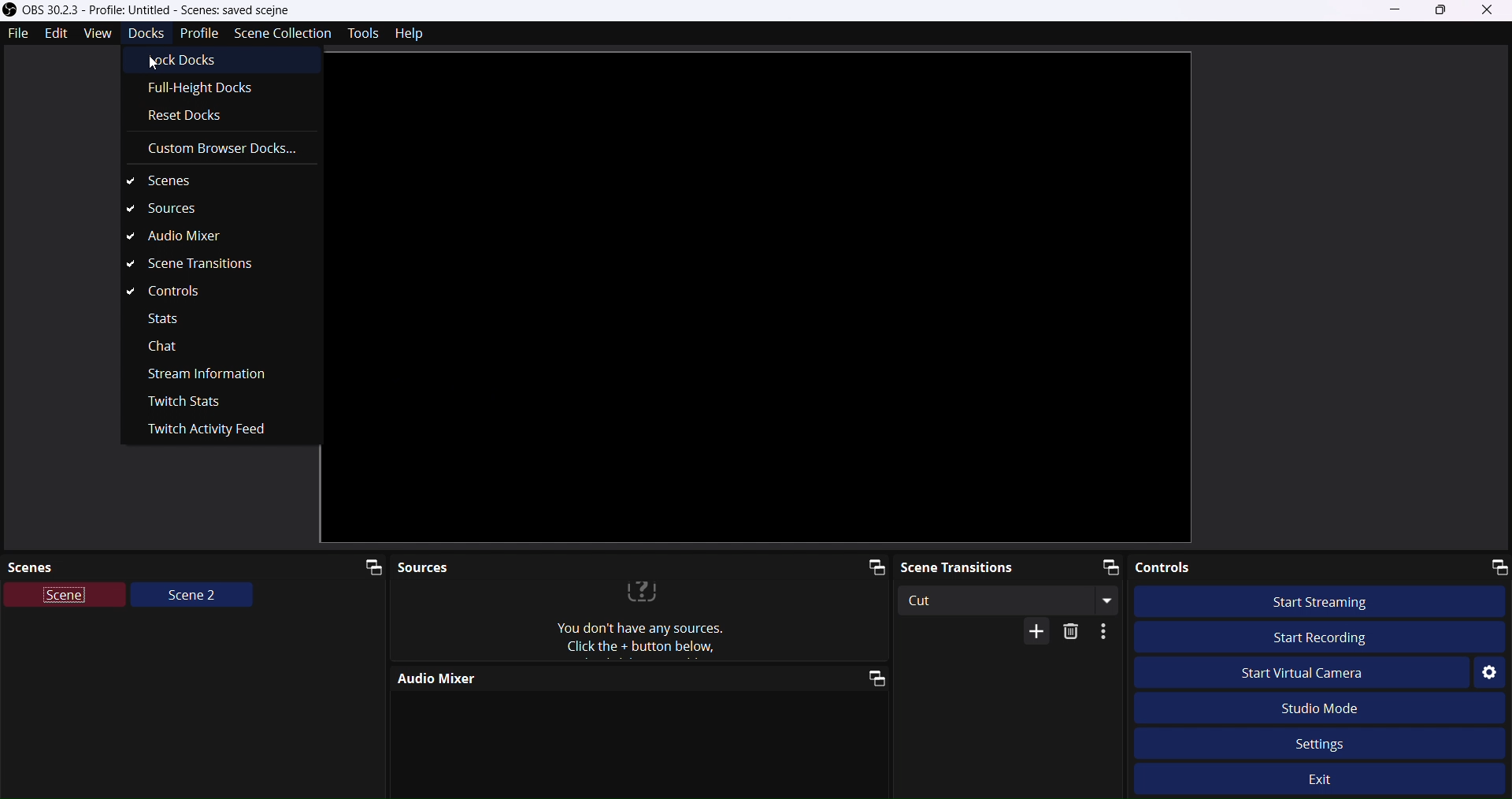 The image size is (1512, 799). I want to click on Start Streaming, so click(1329, 600).